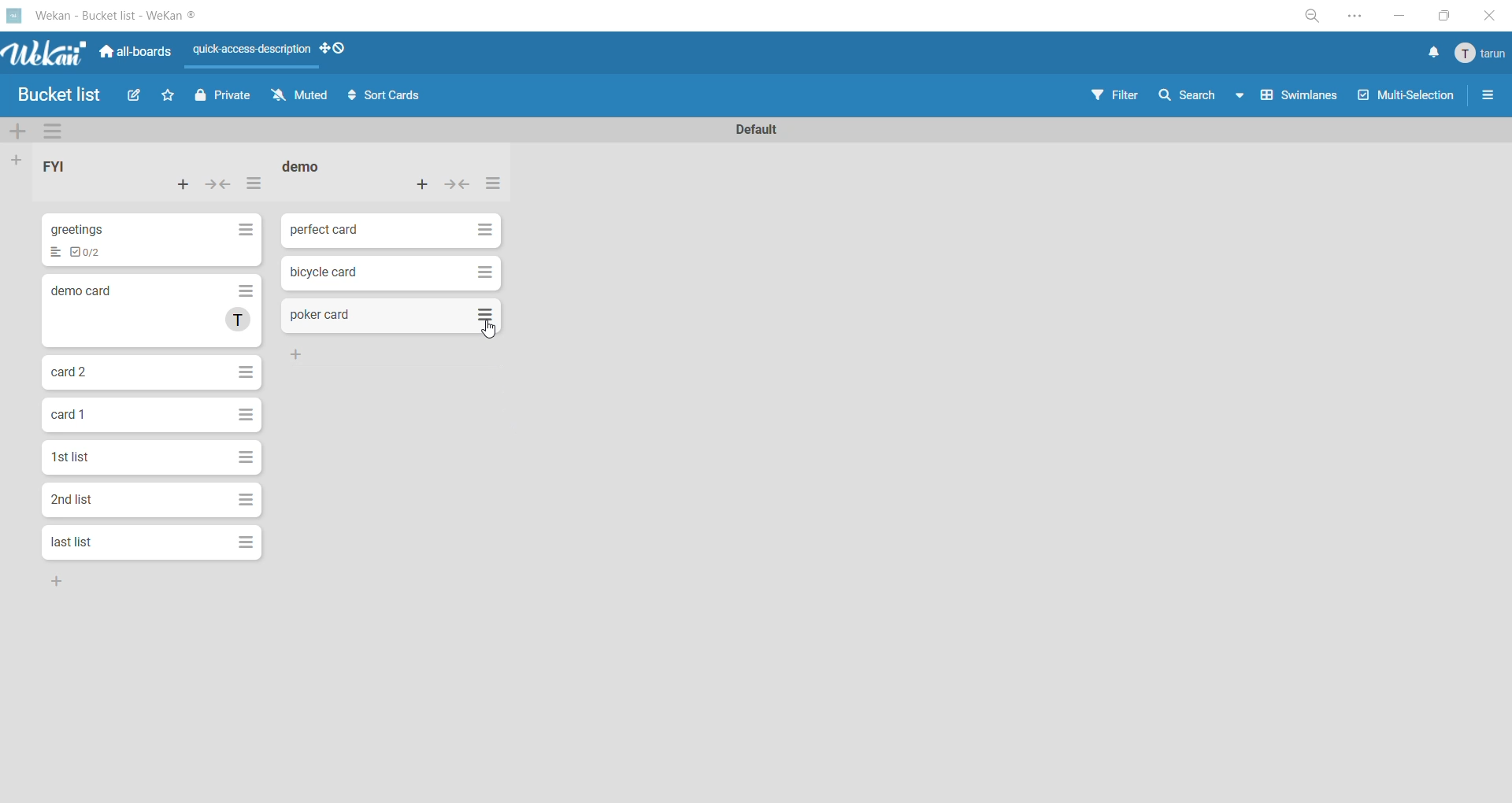 This screenshot has height=803, width=1512. Describe the element at coordinates (490, 329) in the screenshot. I see `cursor` at that location.